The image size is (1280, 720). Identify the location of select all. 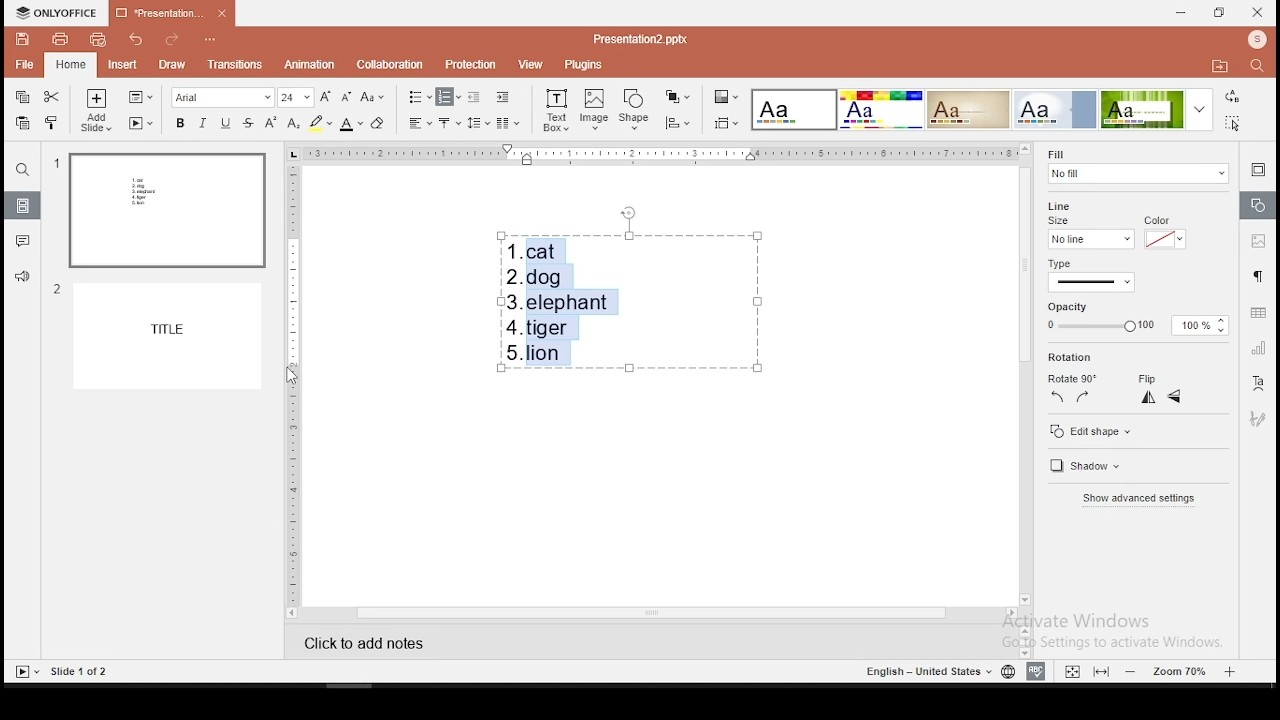
(1234, 125).